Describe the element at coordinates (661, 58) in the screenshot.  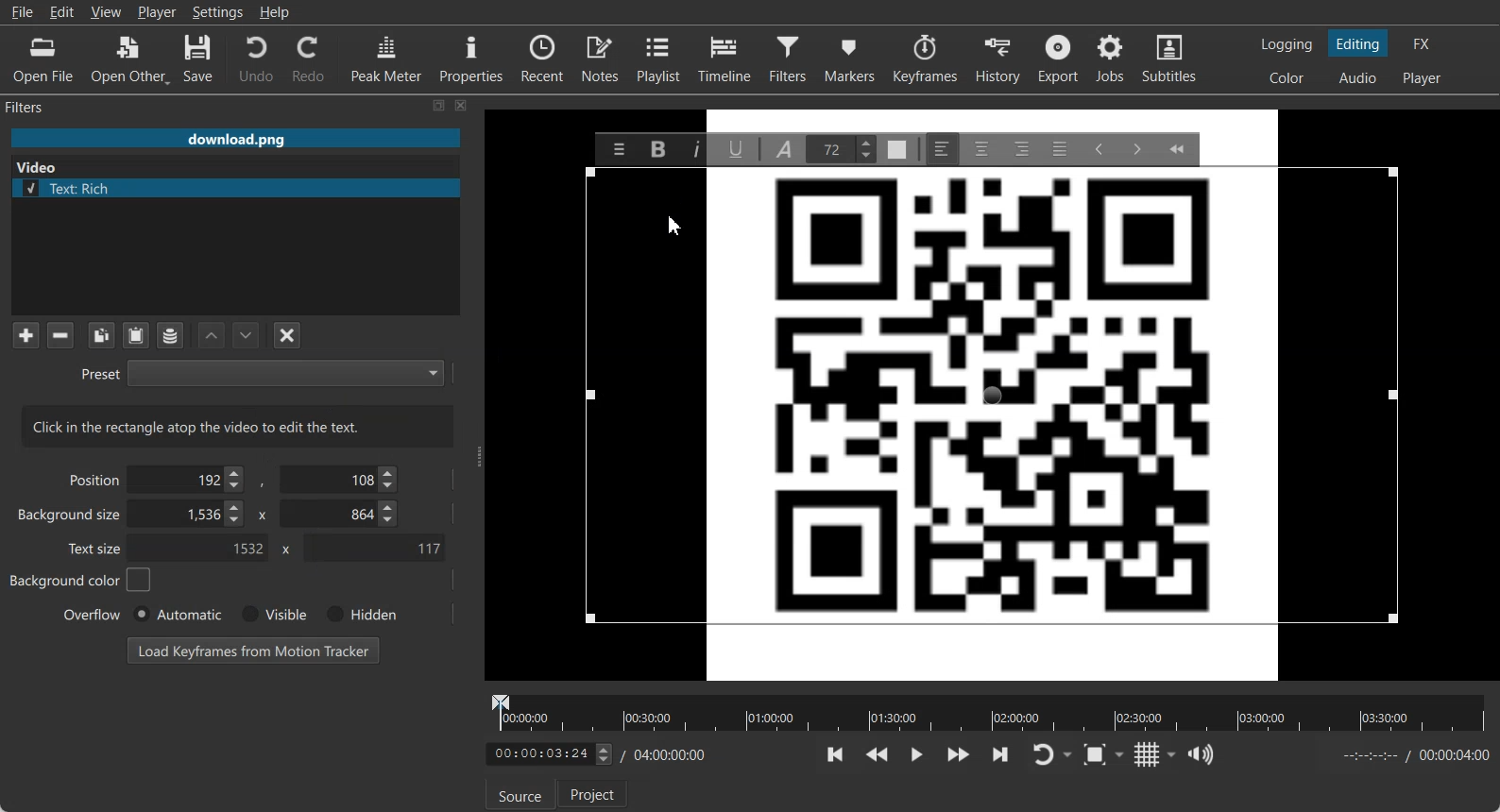
I see `Playlist` at that location.